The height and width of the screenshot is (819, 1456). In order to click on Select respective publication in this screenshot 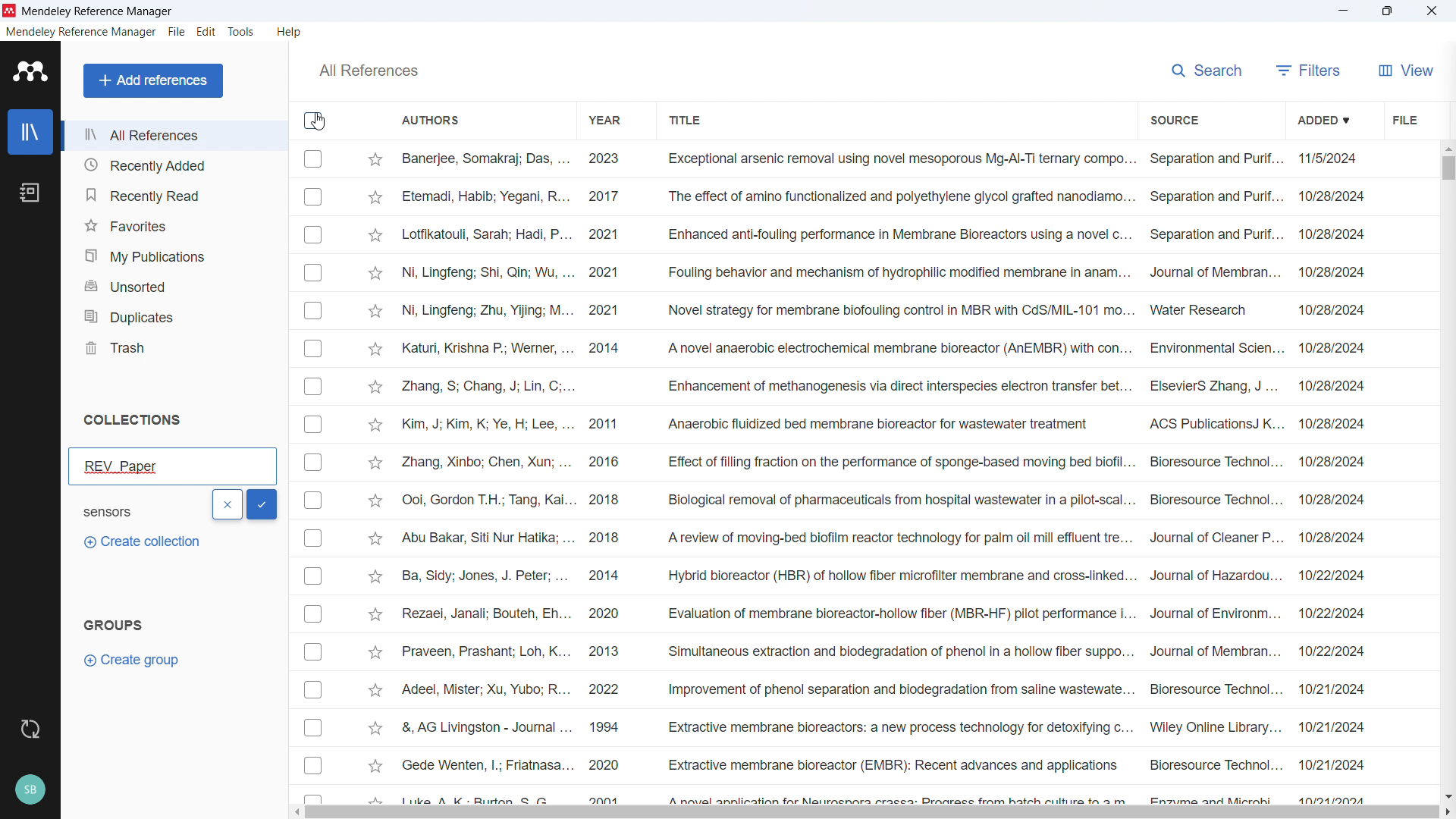, I will do `click(313, 764)`.